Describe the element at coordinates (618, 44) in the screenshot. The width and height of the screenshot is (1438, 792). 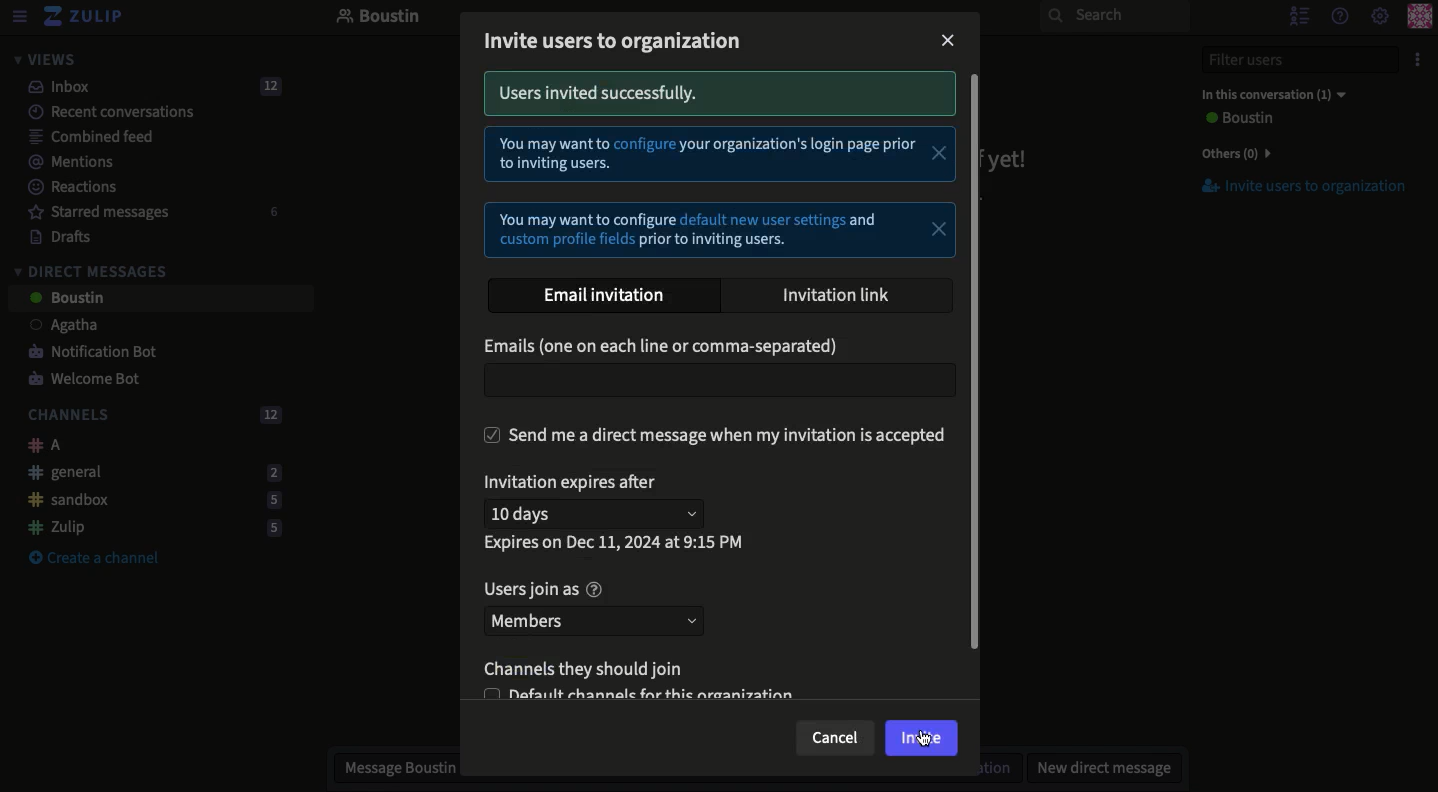
I see `Invite users to organization` at that location.